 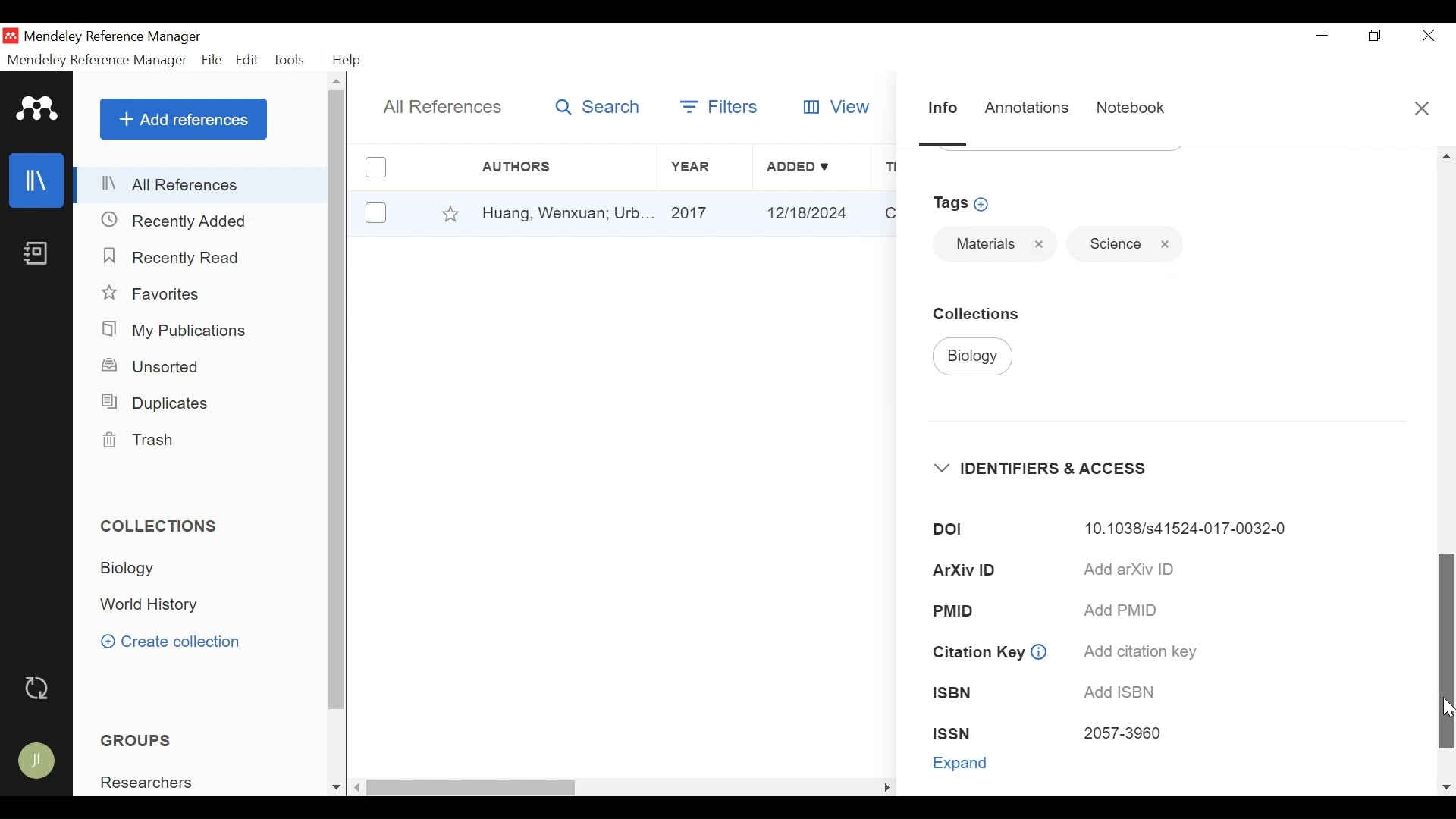 I want to click on minimize, so click(x=1322, y=35).